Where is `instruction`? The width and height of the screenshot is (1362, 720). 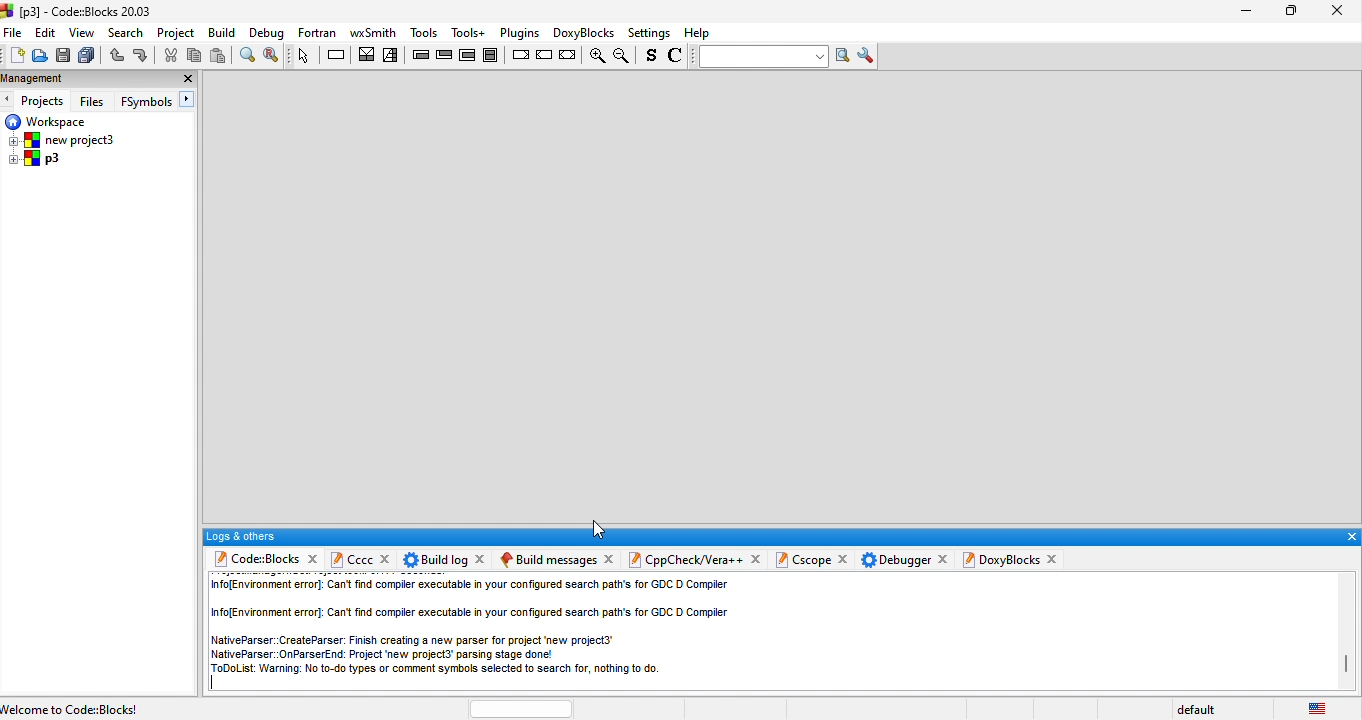
instruction is located at coordinates (338, 55).